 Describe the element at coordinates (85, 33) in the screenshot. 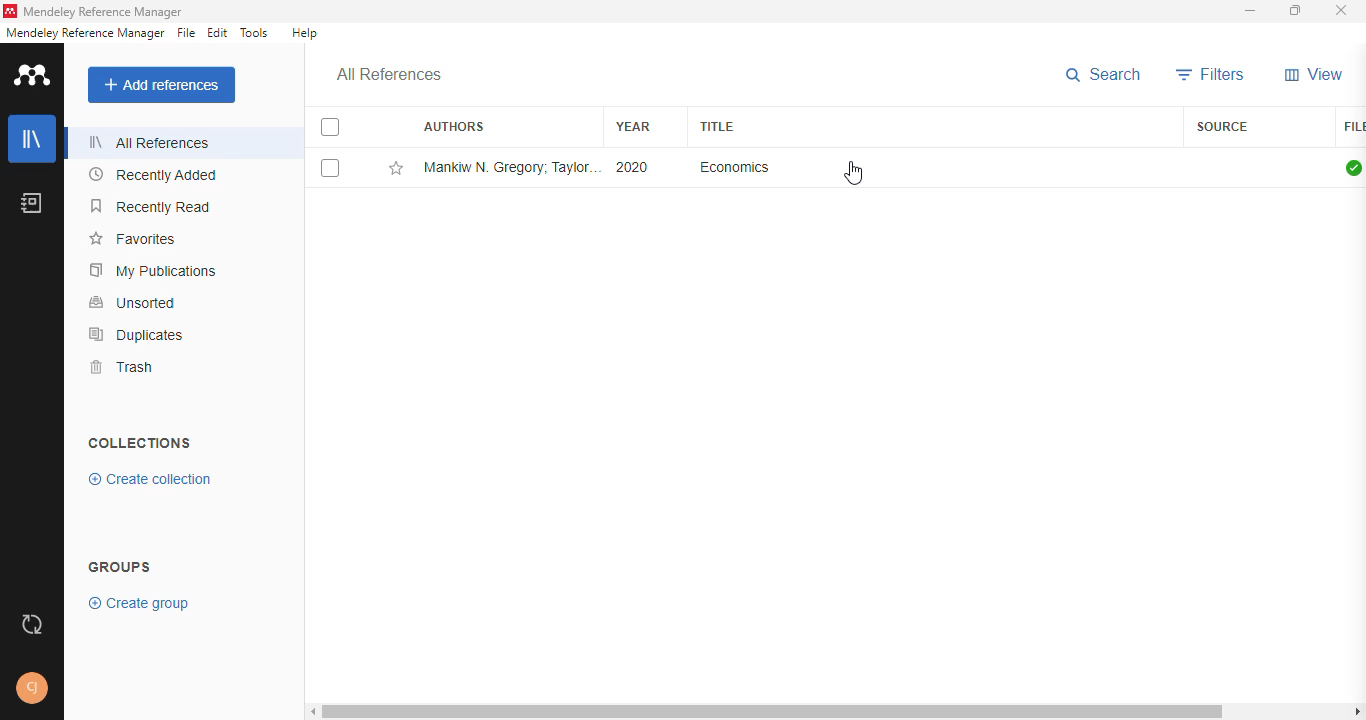

I see `mendeley reference manager` at that location.